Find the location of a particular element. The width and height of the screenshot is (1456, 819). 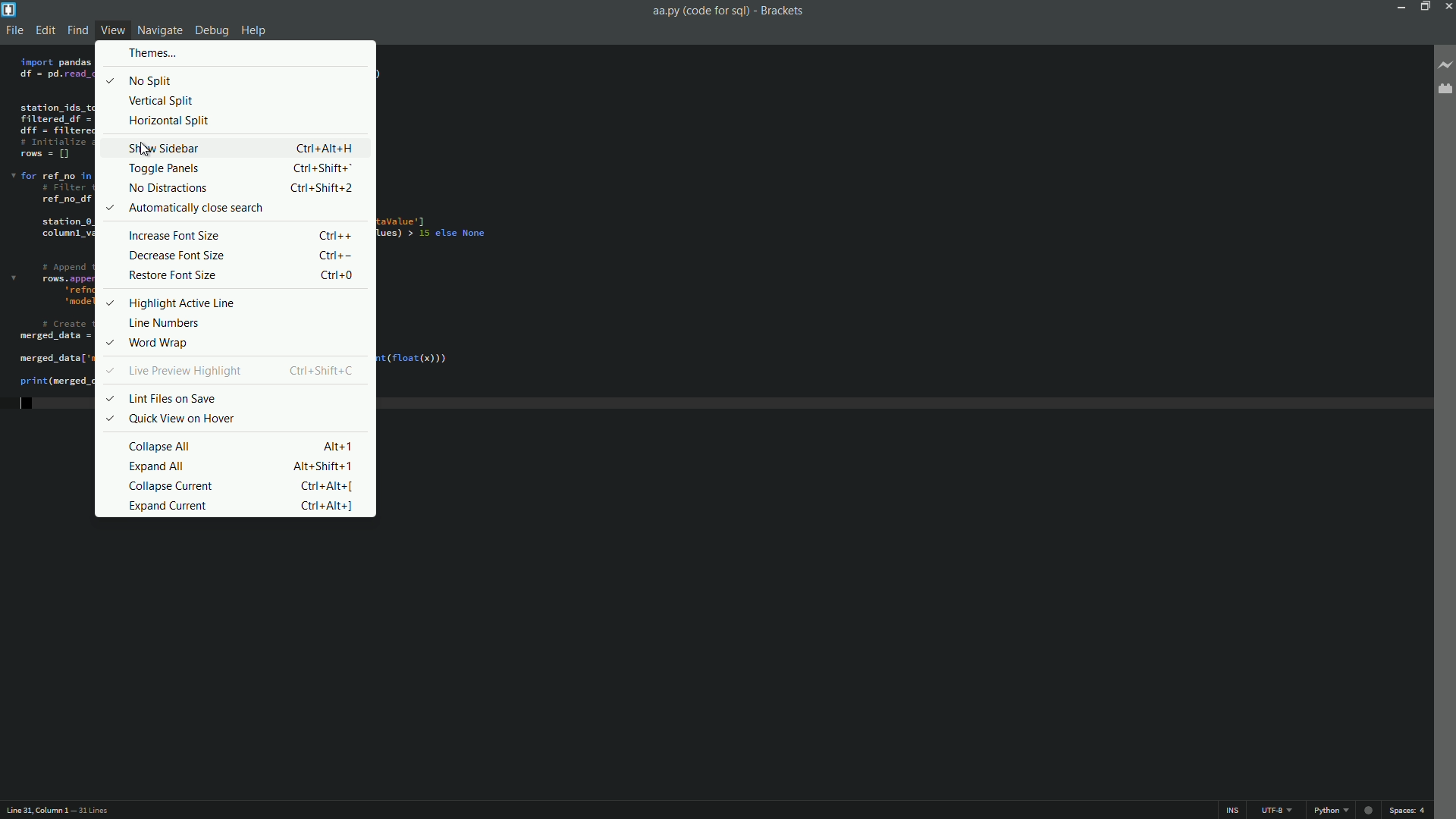

help menu is located at coordinates (253, 30).